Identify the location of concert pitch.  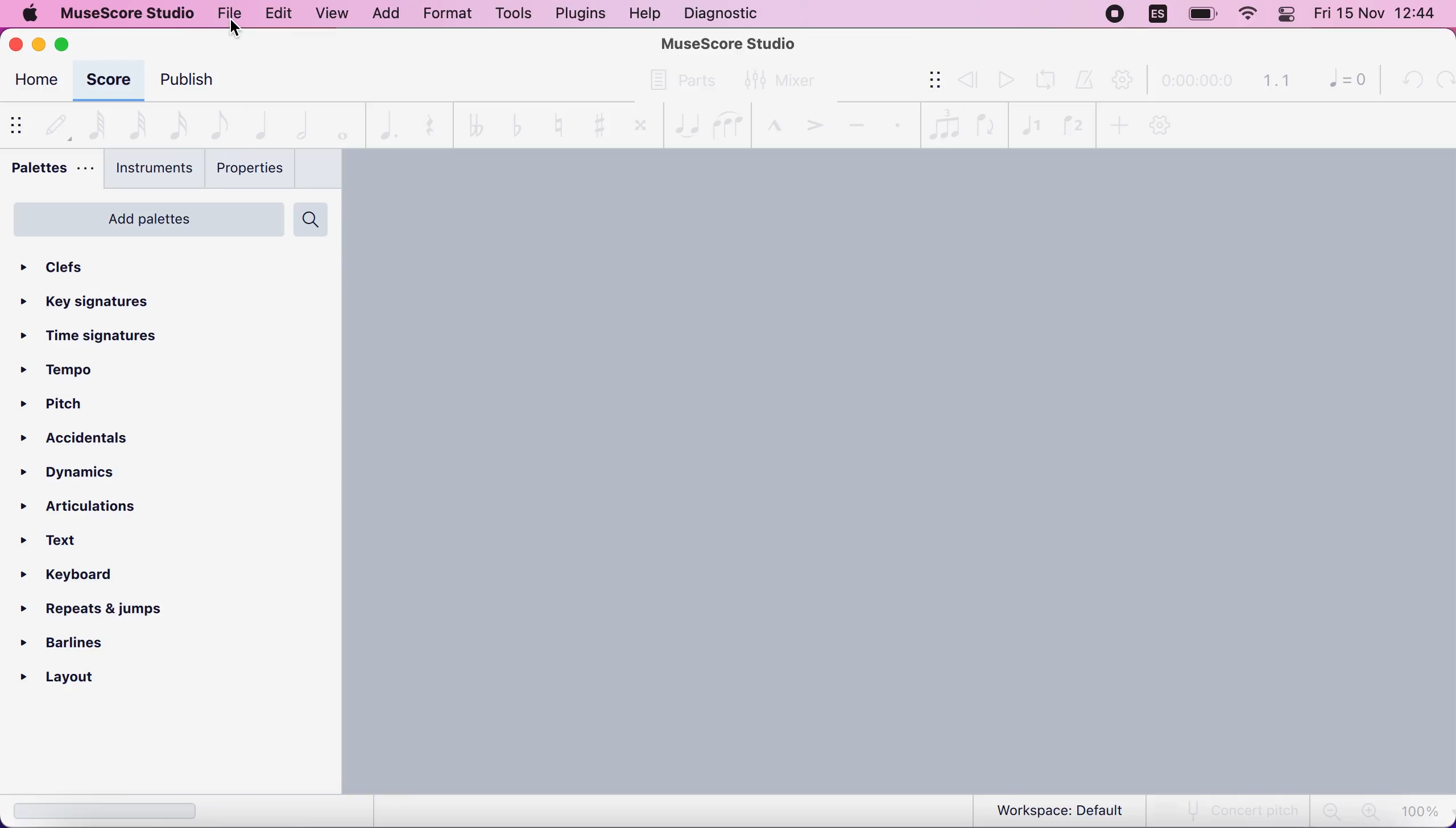
(1230, 810).